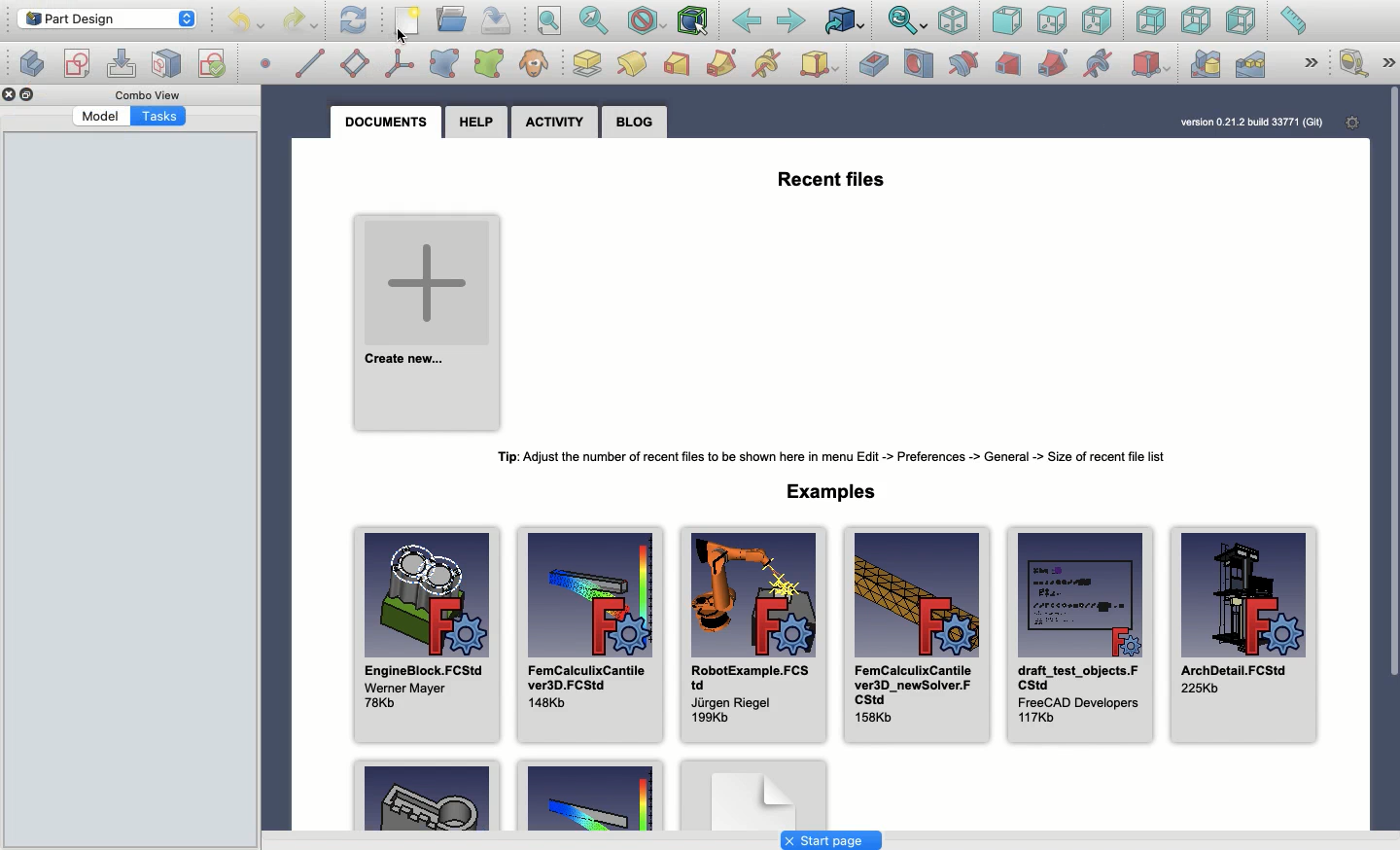 This screenshot has height=850, width=1400. Describe the element at coordinates (303, 20) in the screenshot. I see `Redo` at that location.